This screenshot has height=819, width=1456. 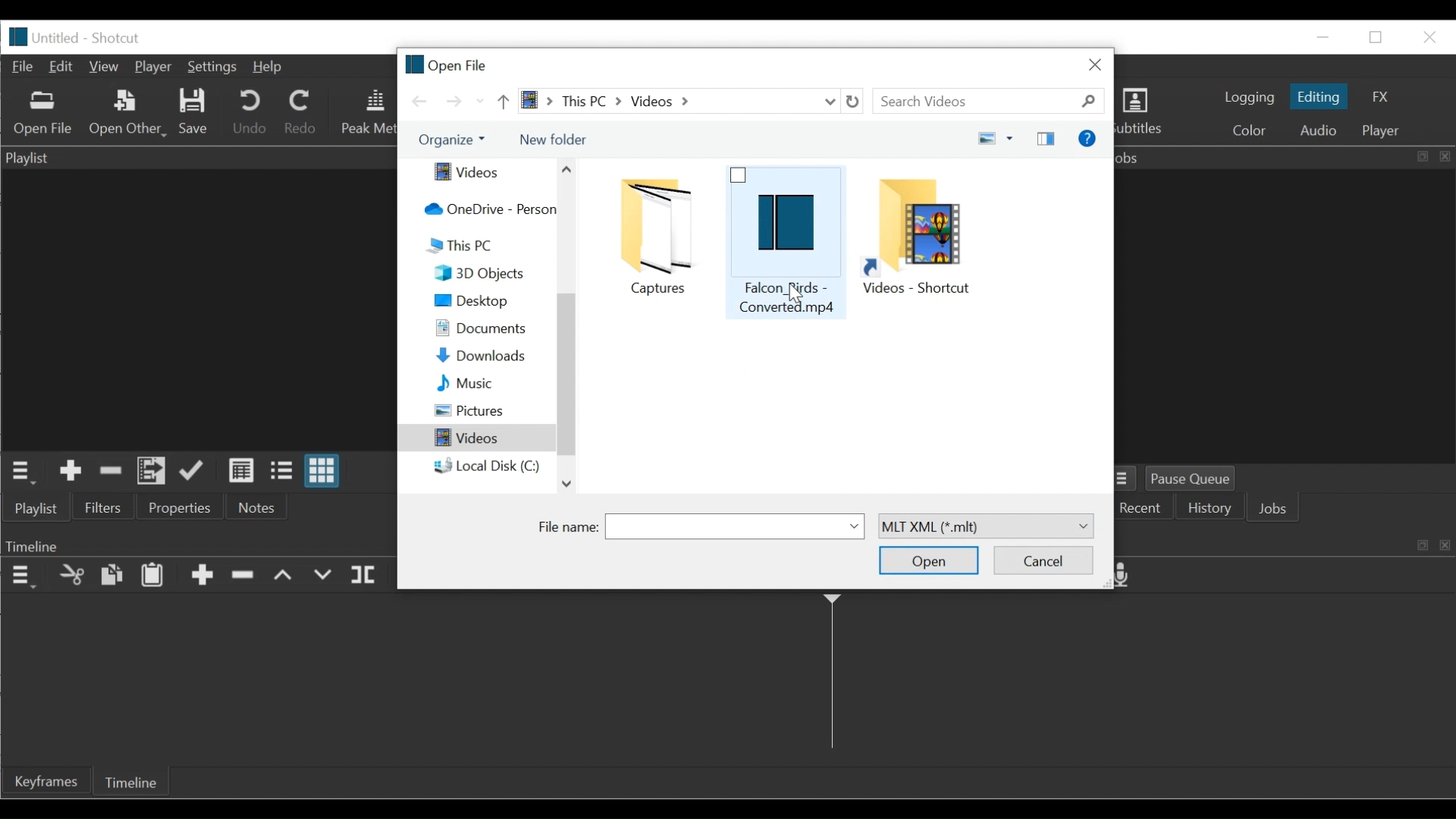 I want to click on 3D Objects, so click(x=492, y=273).